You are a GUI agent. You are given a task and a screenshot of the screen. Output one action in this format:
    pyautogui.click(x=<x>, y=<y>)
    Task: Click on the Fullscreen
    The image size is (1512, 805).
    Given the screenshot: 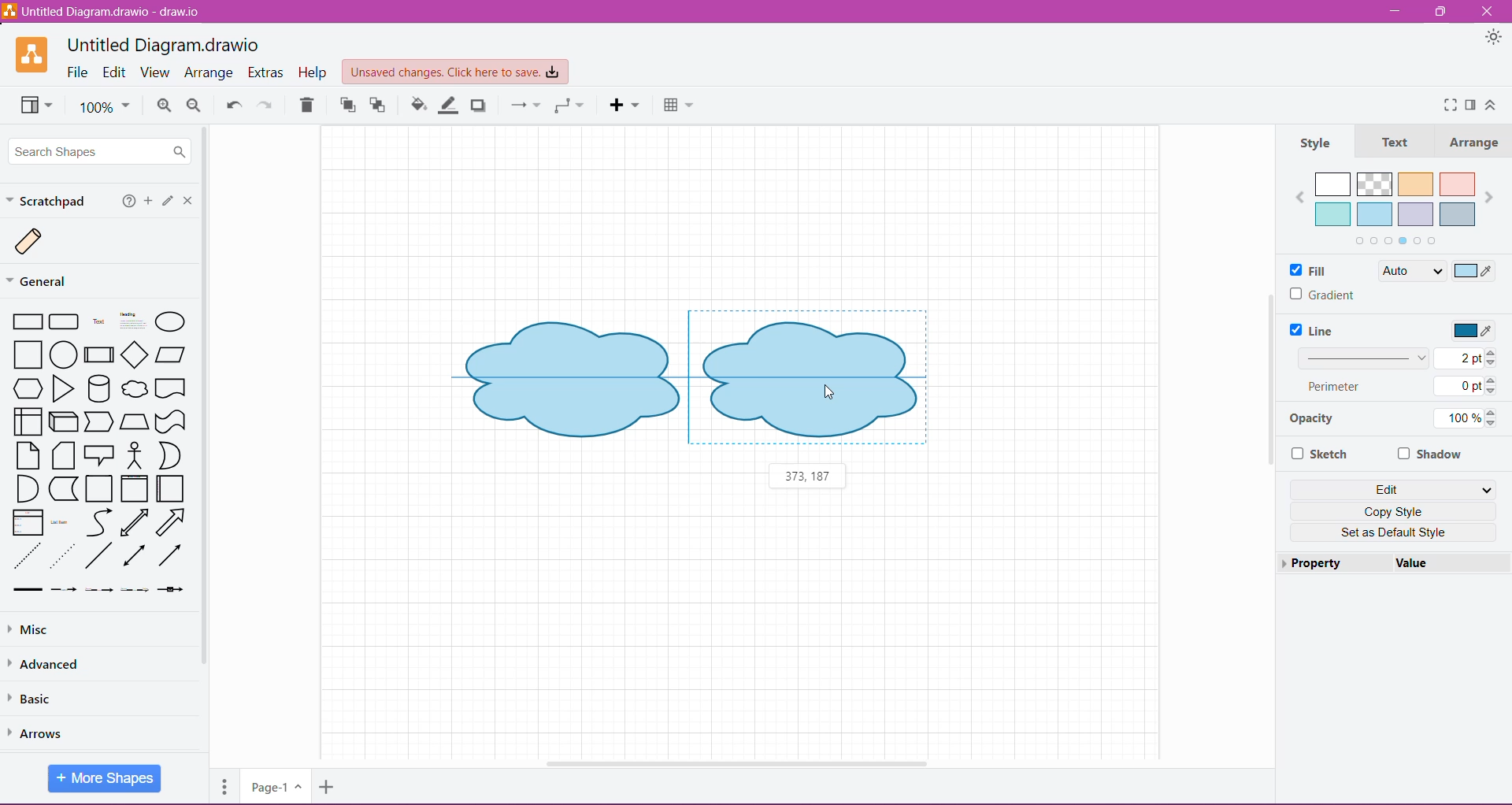 What is the action you would take?
    pyautogui.click(x=1447, y=106)
    